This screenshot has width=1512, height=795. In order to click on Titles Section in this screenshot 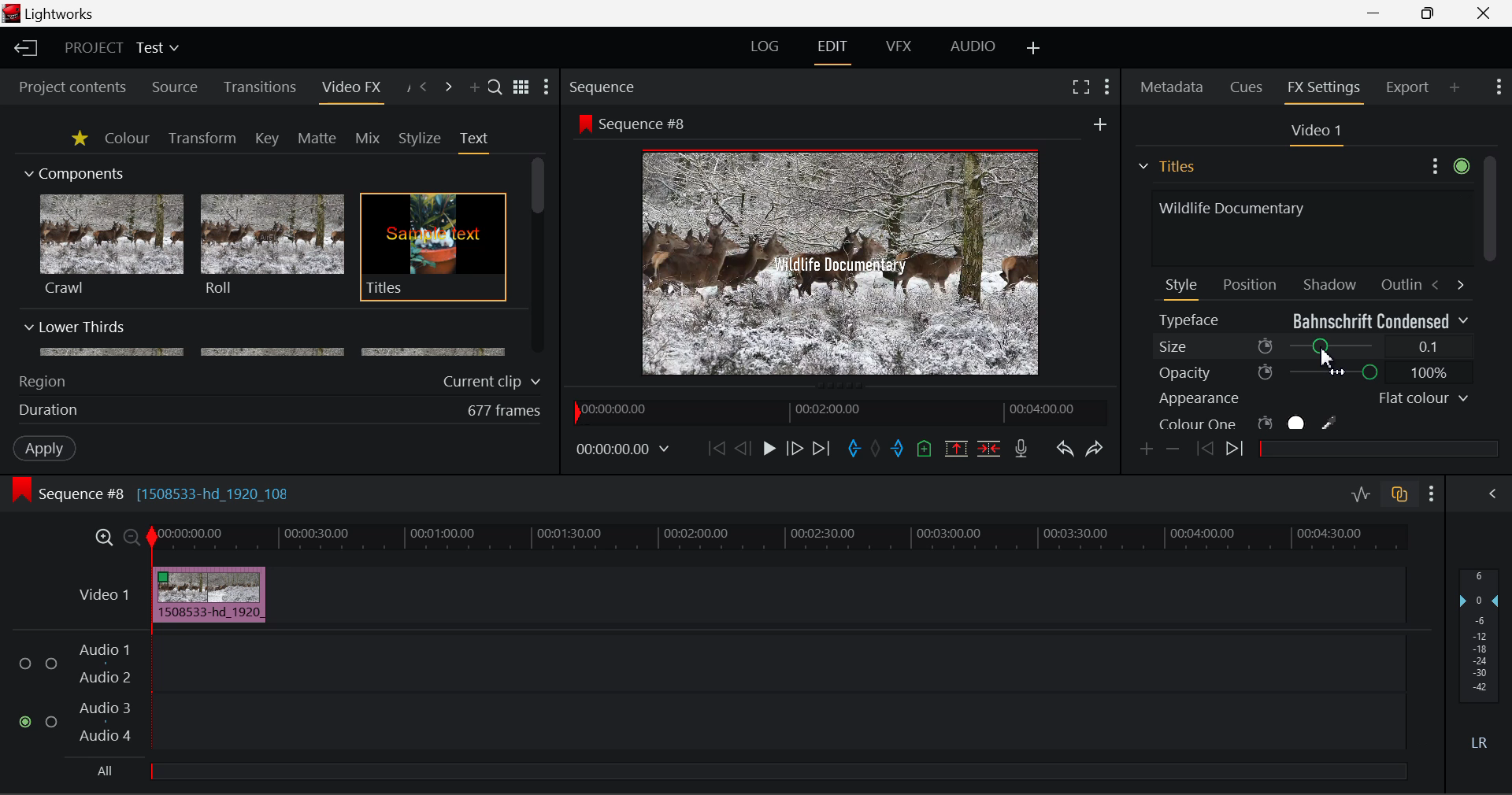, I will do `click(1166, 166)`.